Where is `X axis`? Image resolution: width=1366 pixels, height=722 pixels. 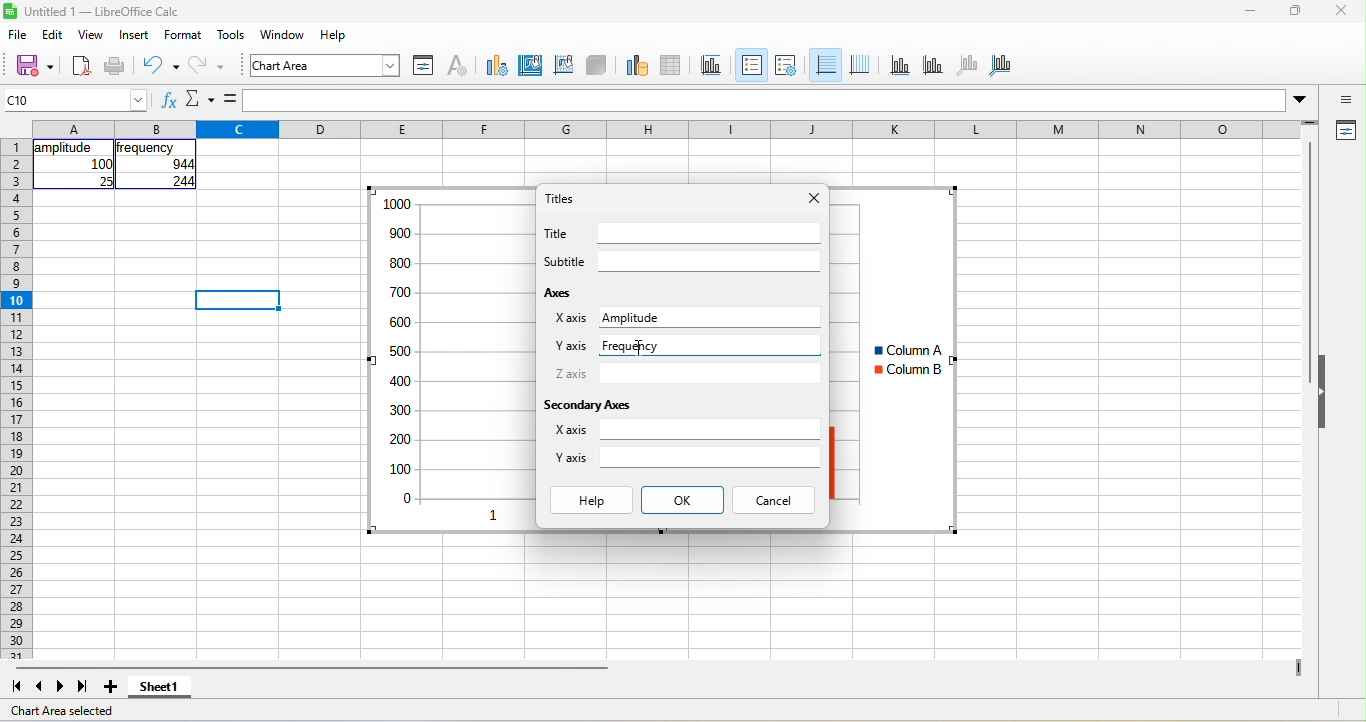
X axis is located at coordinates (570, 429).